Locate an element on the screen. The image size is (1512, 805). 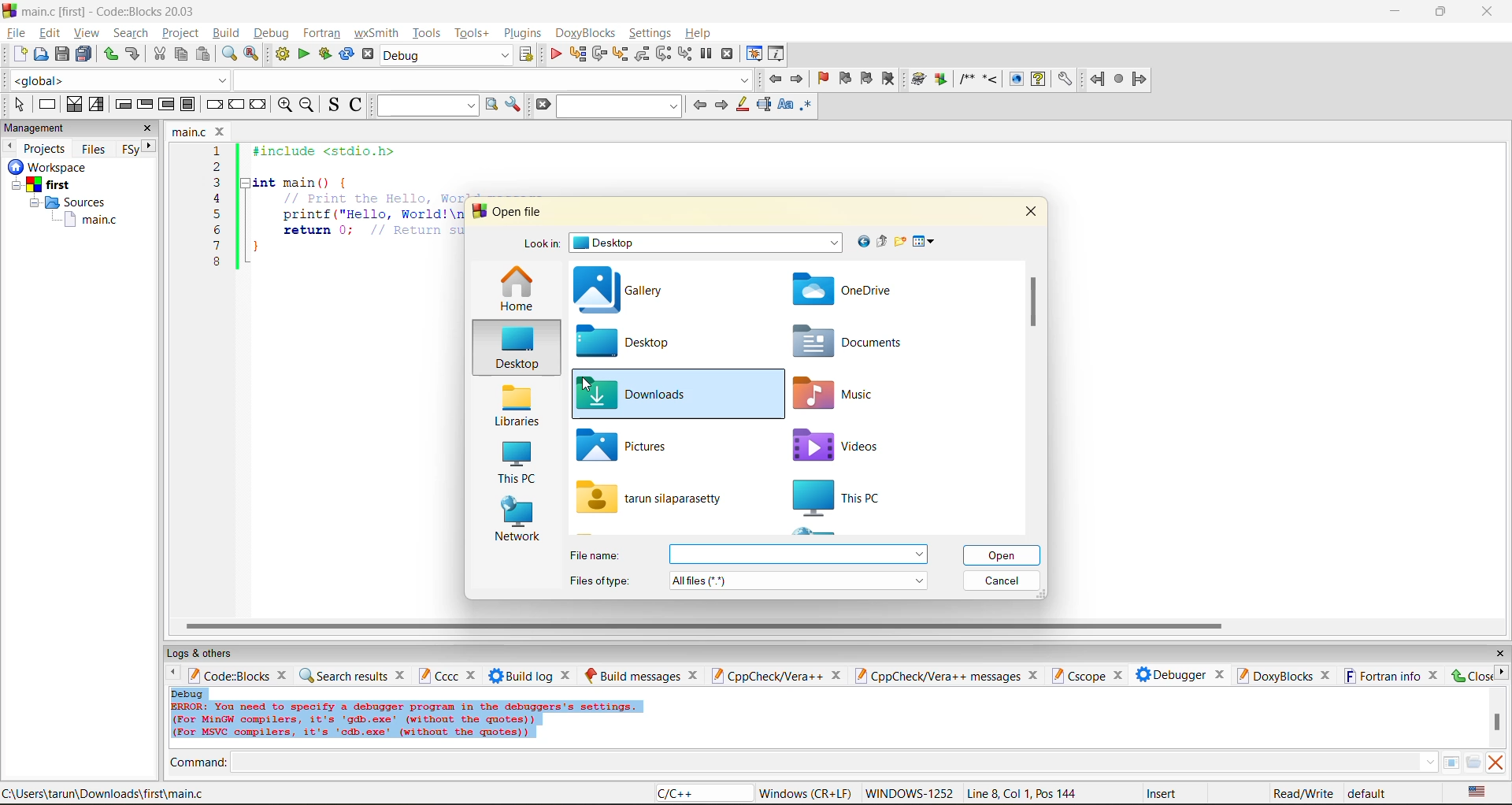
file location is located at coordinates (104, 793).